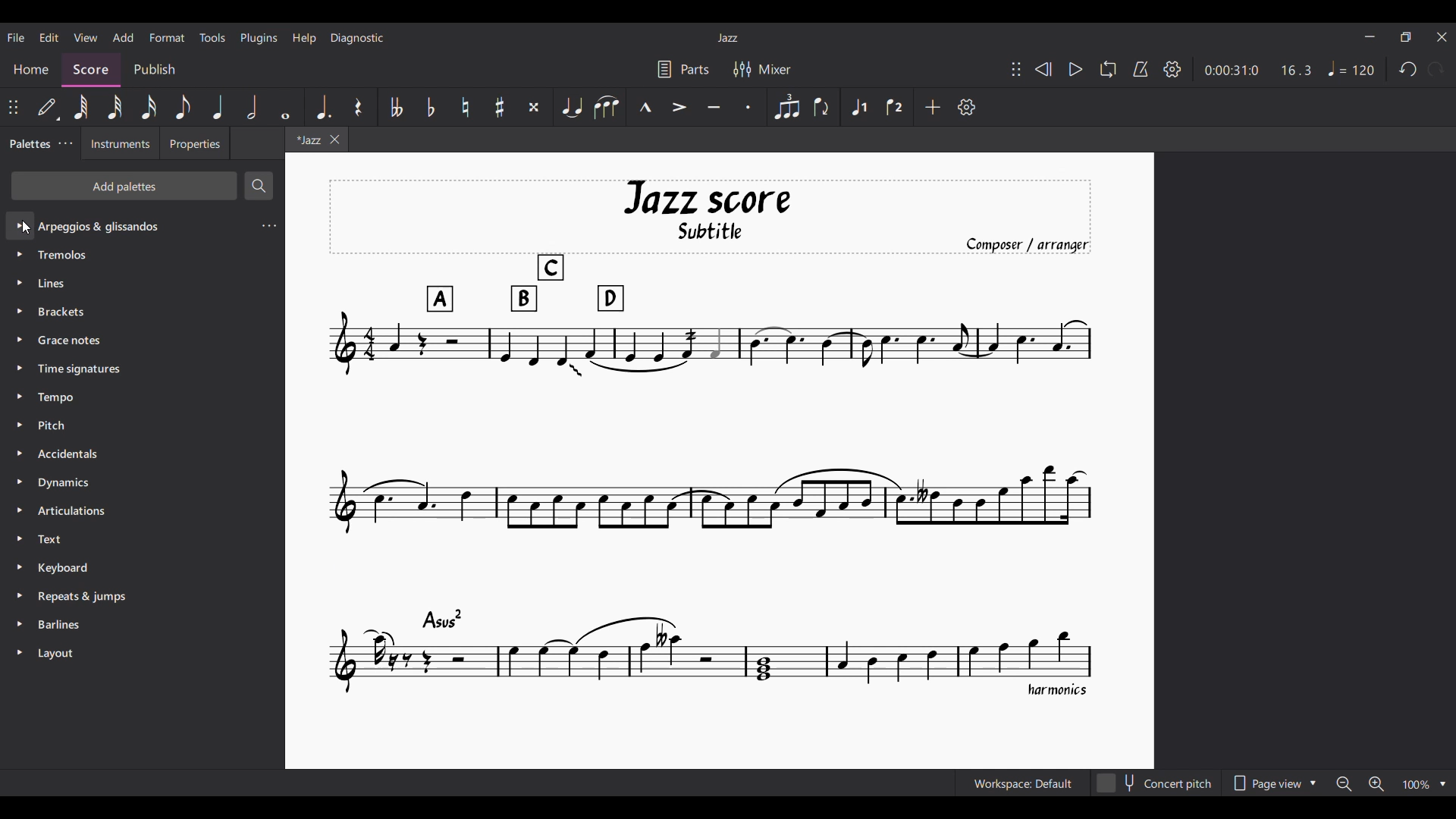 The height and width of the screenshot is (819, 1456). What do you see at coordinates (334, 140) in the screenshot?
I see `Close tab` at bounding box center [334, 140].